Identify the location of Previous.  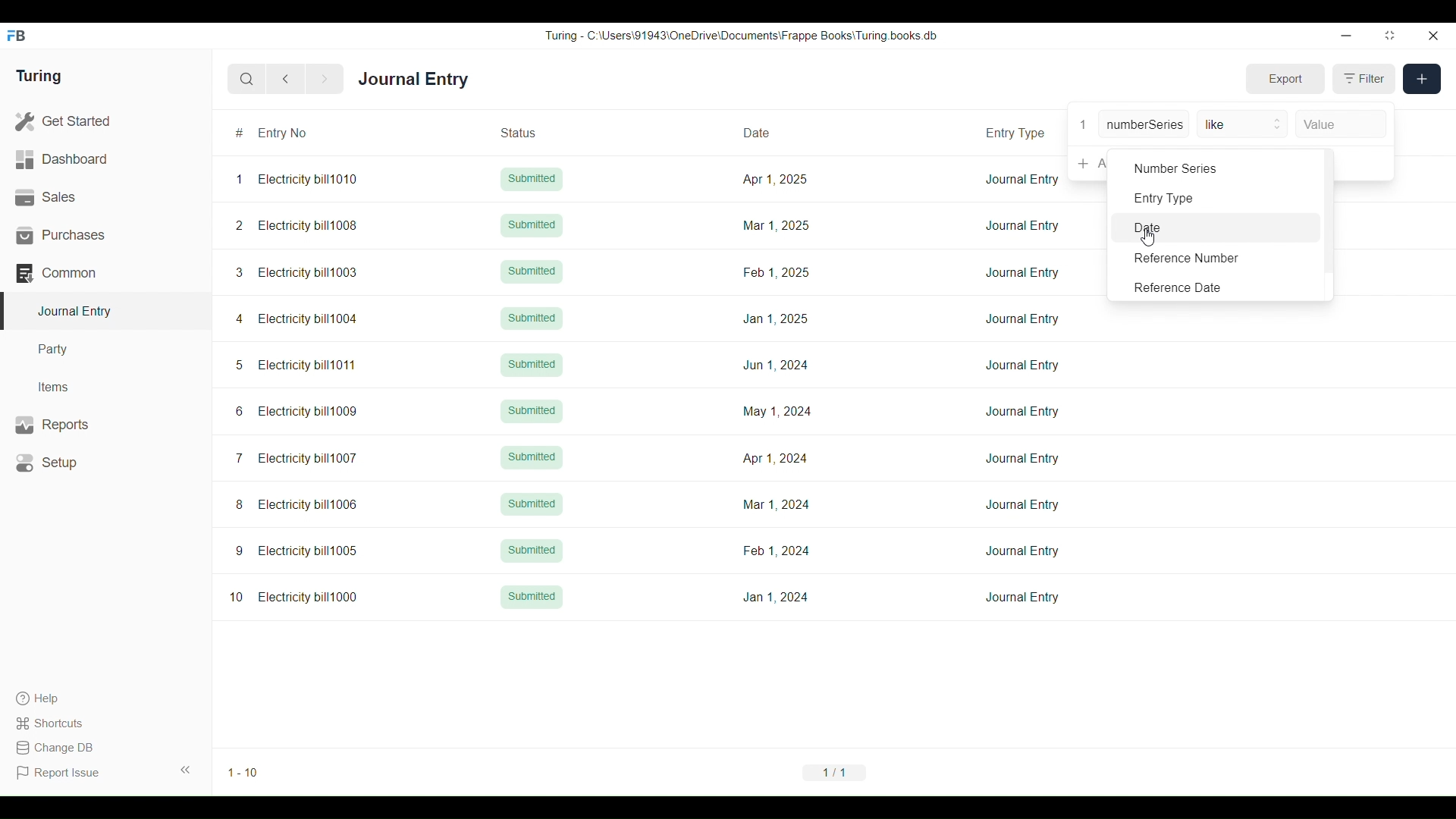
(286, 79).